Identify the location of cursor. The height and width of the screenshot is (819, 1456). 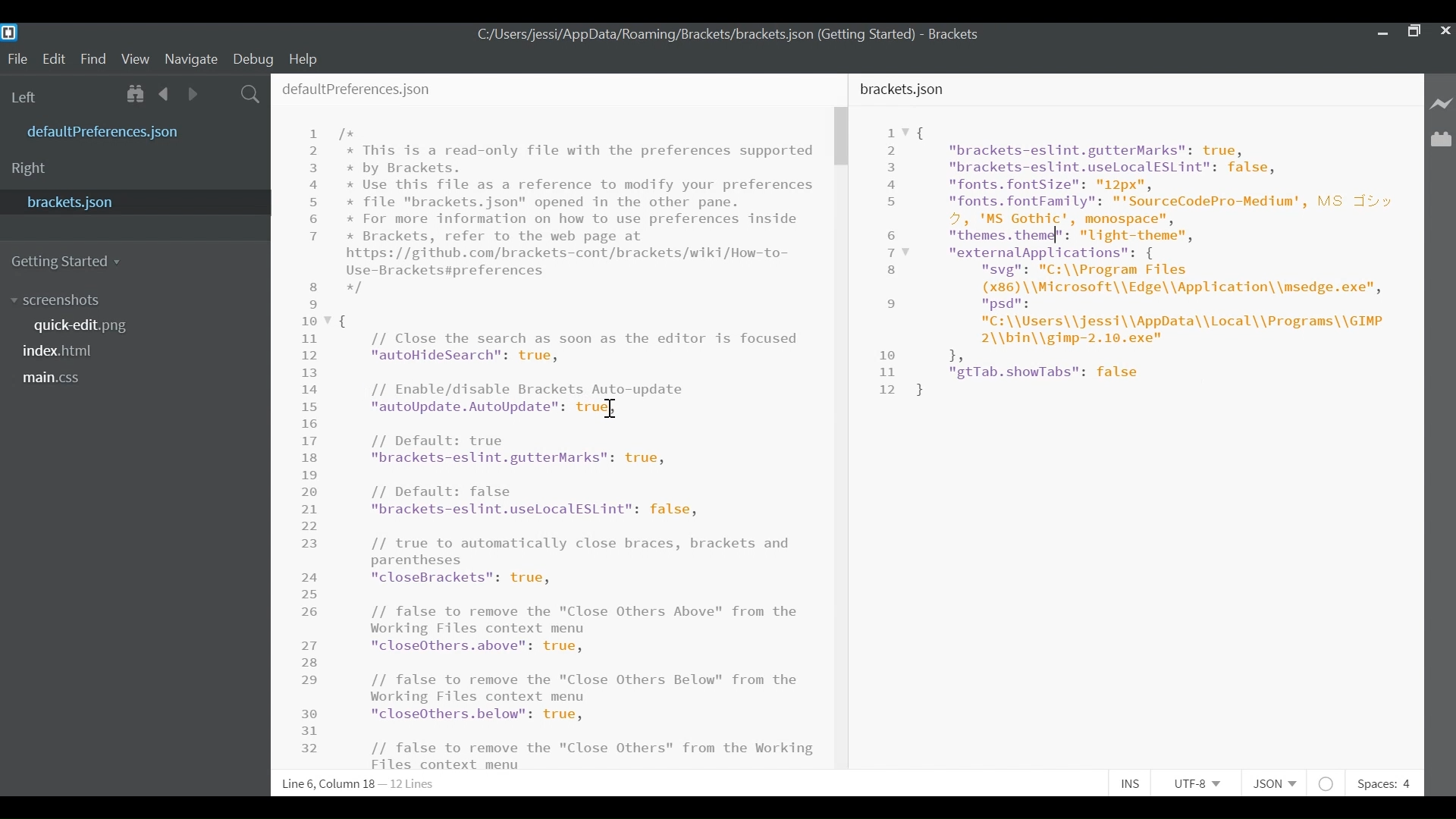
(610, 409).